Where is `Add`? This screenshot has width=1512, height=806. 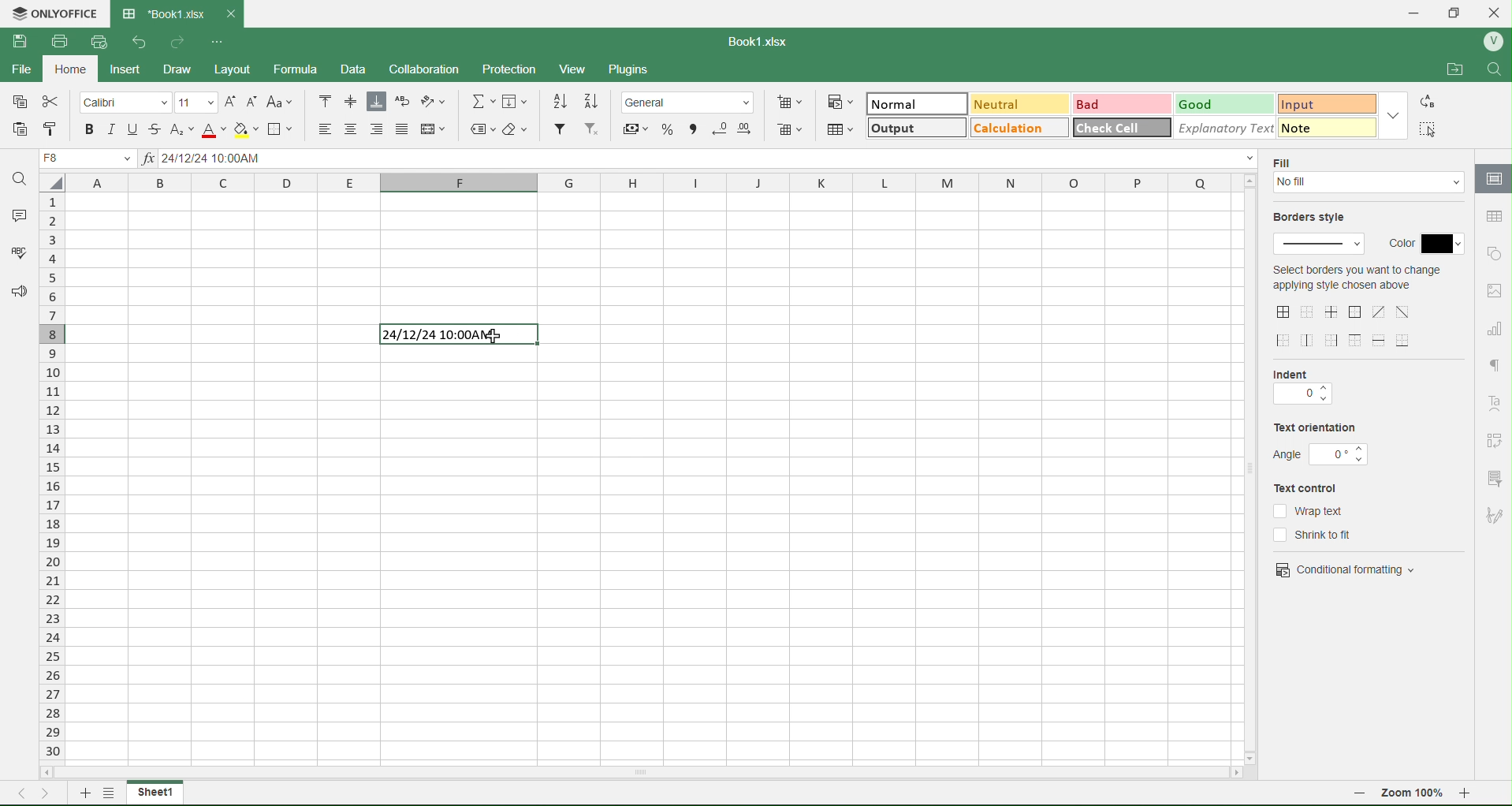
Add is located at coordinates (81, 792).